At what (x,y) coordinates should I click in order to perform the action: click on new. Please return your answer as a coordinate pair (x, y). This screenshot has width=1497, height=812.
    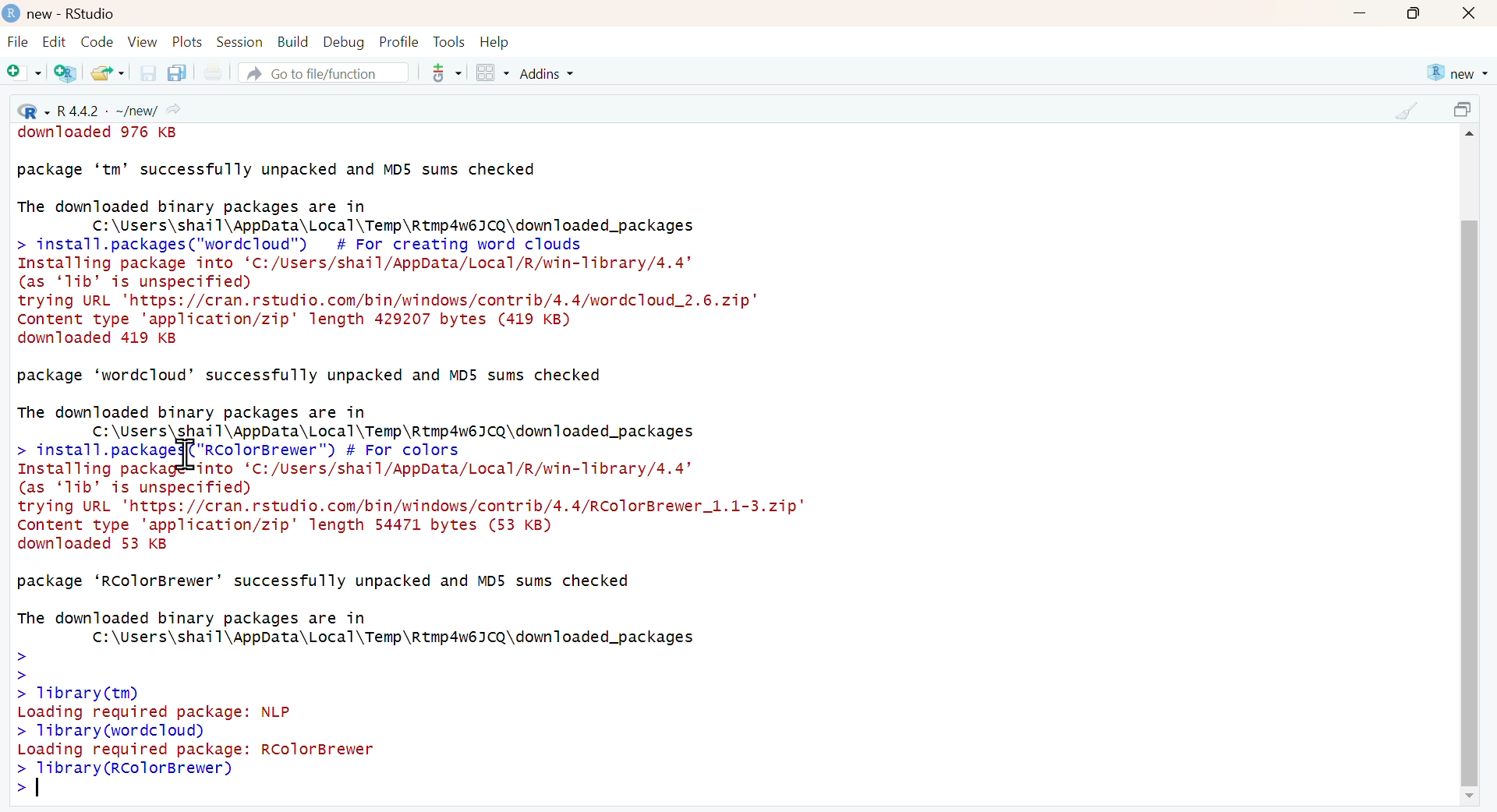
    Looking at the image, I should click on (1456, 72).